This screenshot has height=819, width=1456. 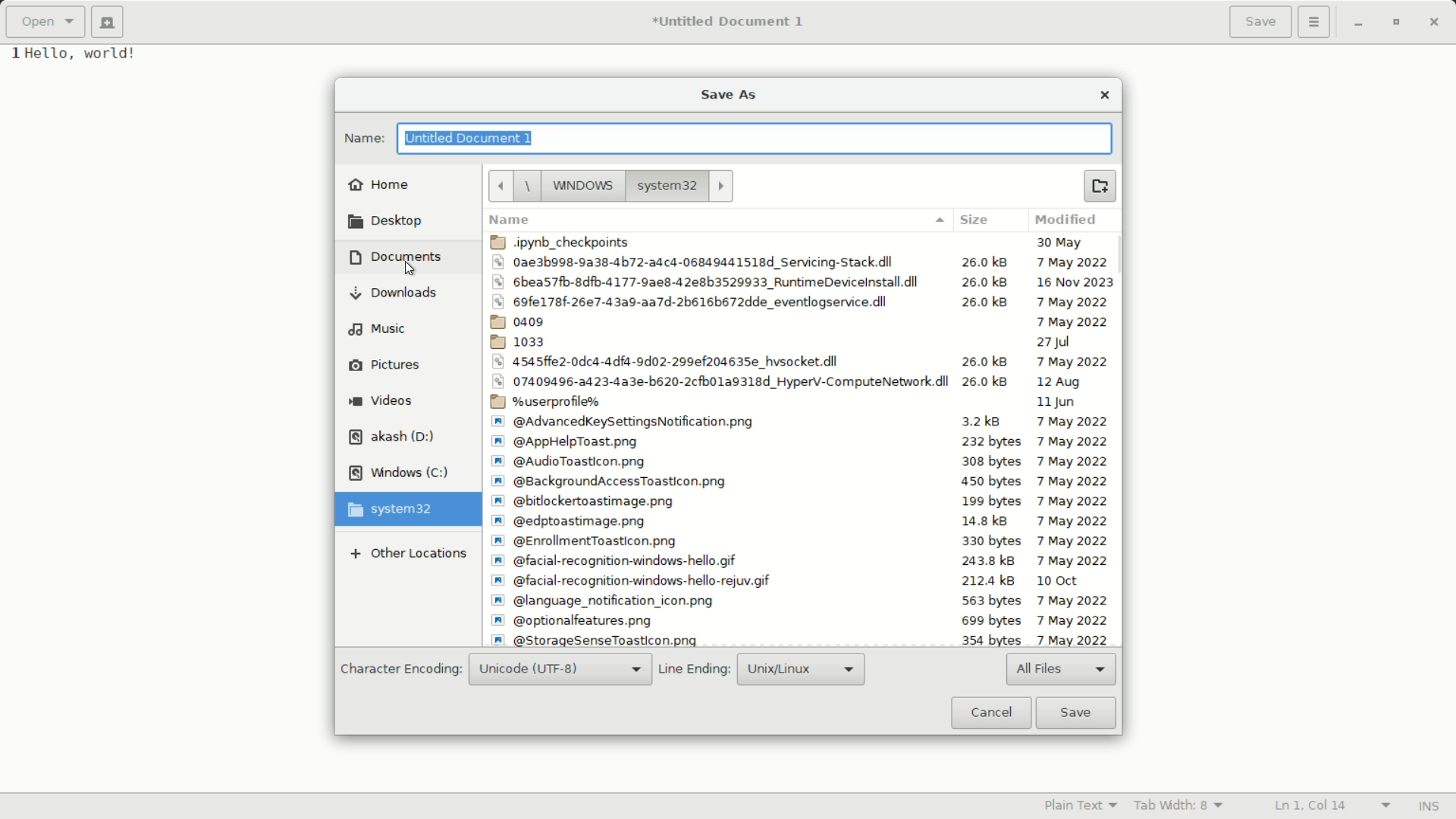 I want to click on line encoding, so click(x=695, y=671).